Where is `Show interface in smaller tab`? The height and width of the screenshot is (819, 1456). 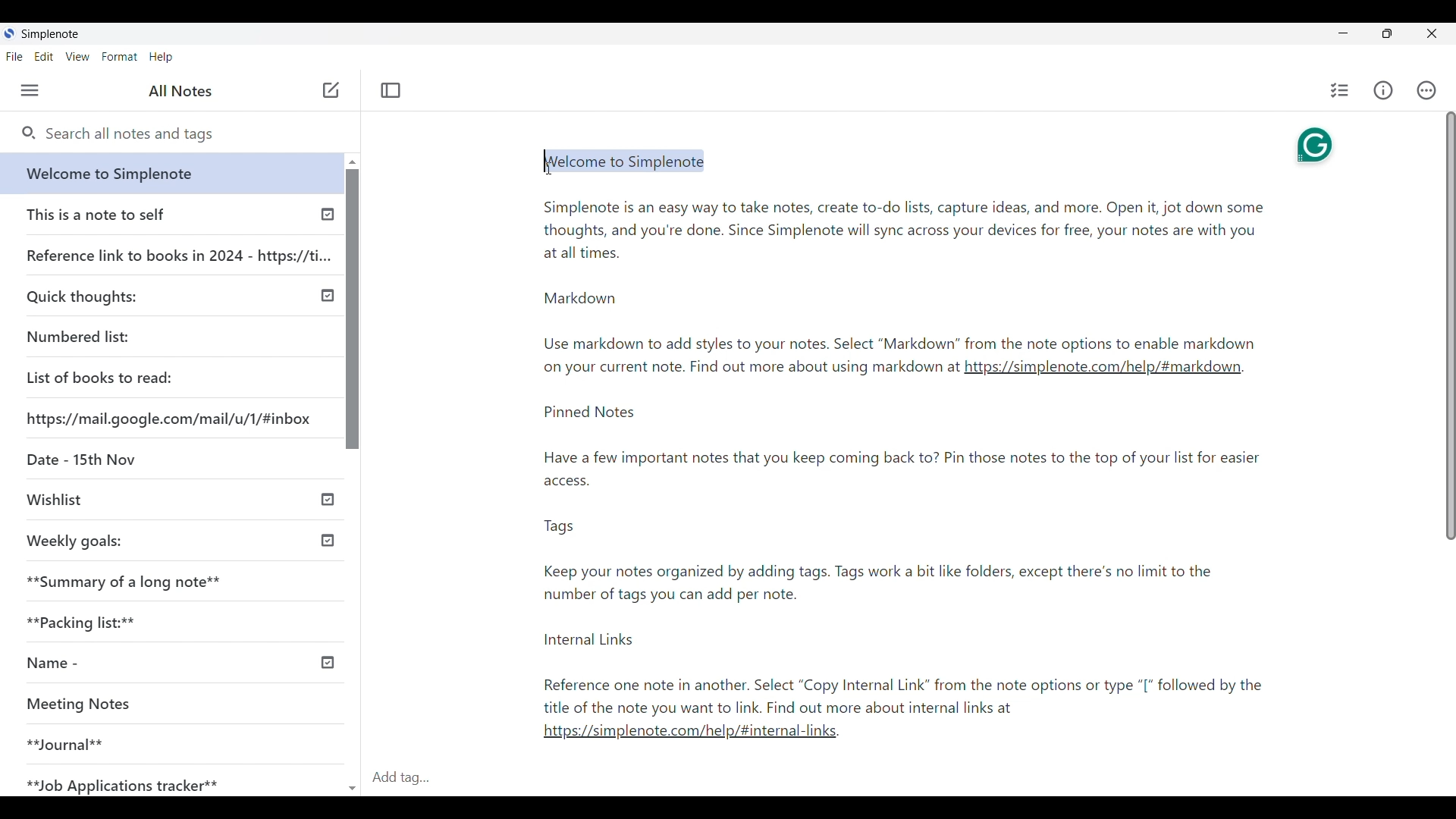 Show interface in smaller tab is located at coordinates (1387, 33).